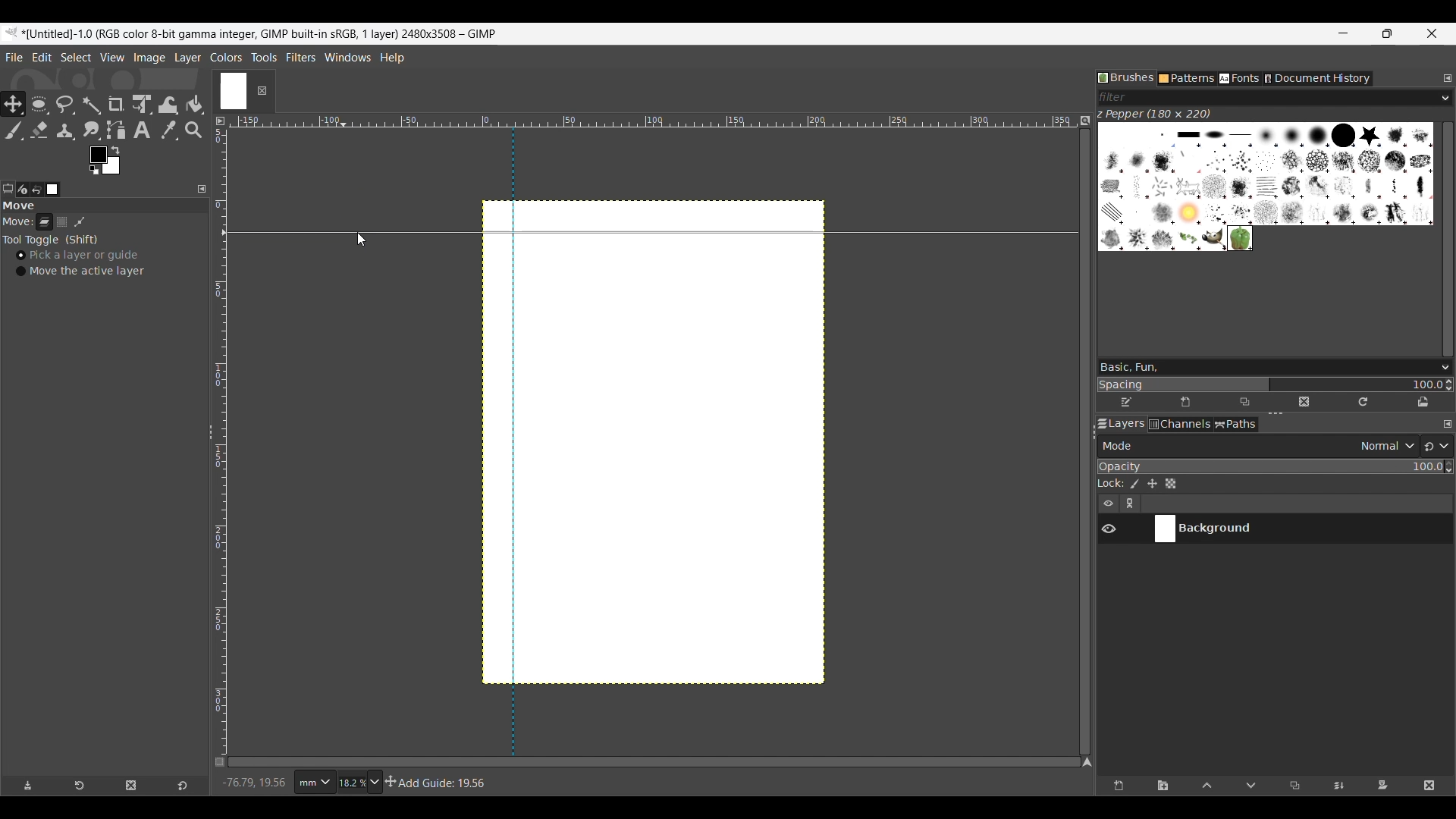  Describe the element at coordinates (102, 209) in the screenshot. I see `Section title` at that location.